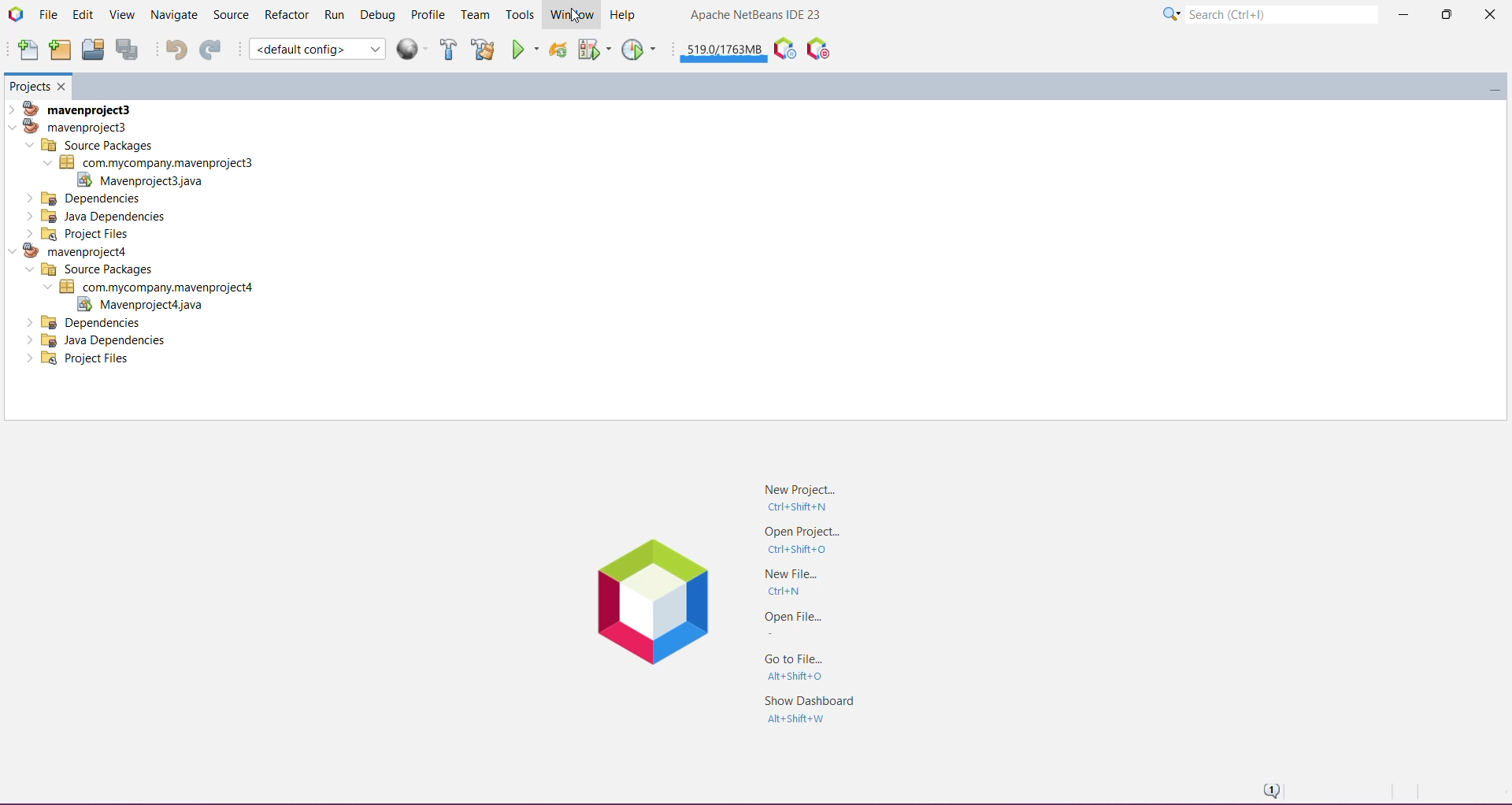  What do you see at coordinates (128, 50) in the screenshot?
I see `Save All` at bounding box center [128, 50].